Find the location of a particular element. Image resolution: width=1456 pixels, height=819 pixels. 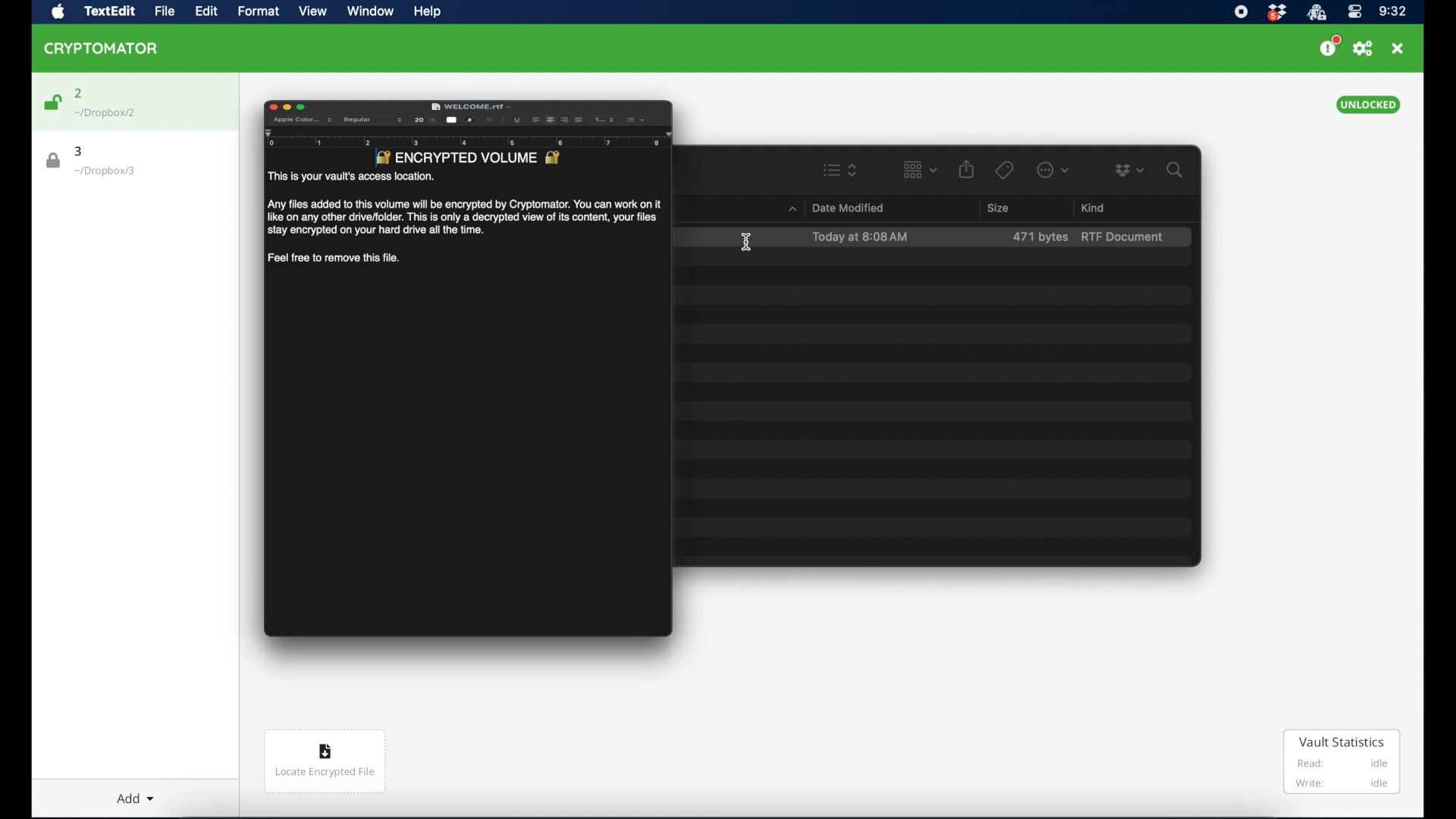

lock icon is located at coordinates (50, 160).